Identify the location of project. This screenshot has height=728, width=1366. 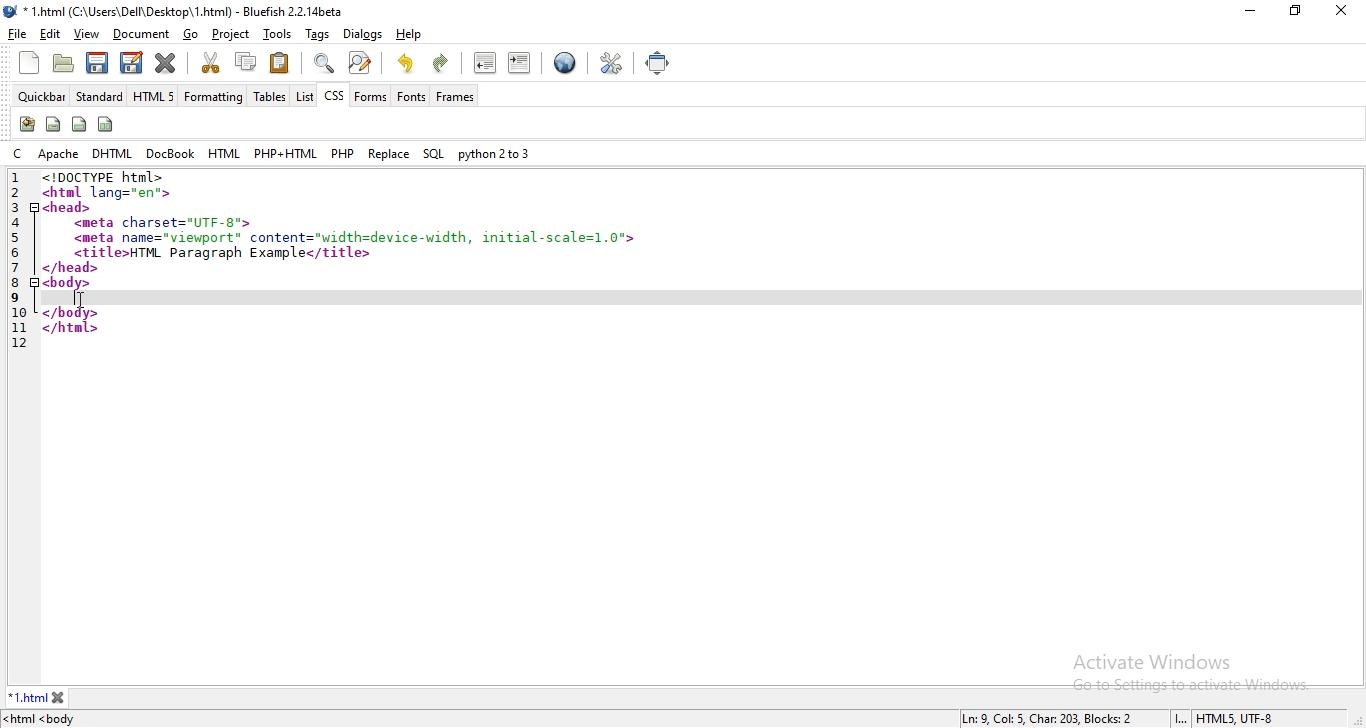
(229, 32).